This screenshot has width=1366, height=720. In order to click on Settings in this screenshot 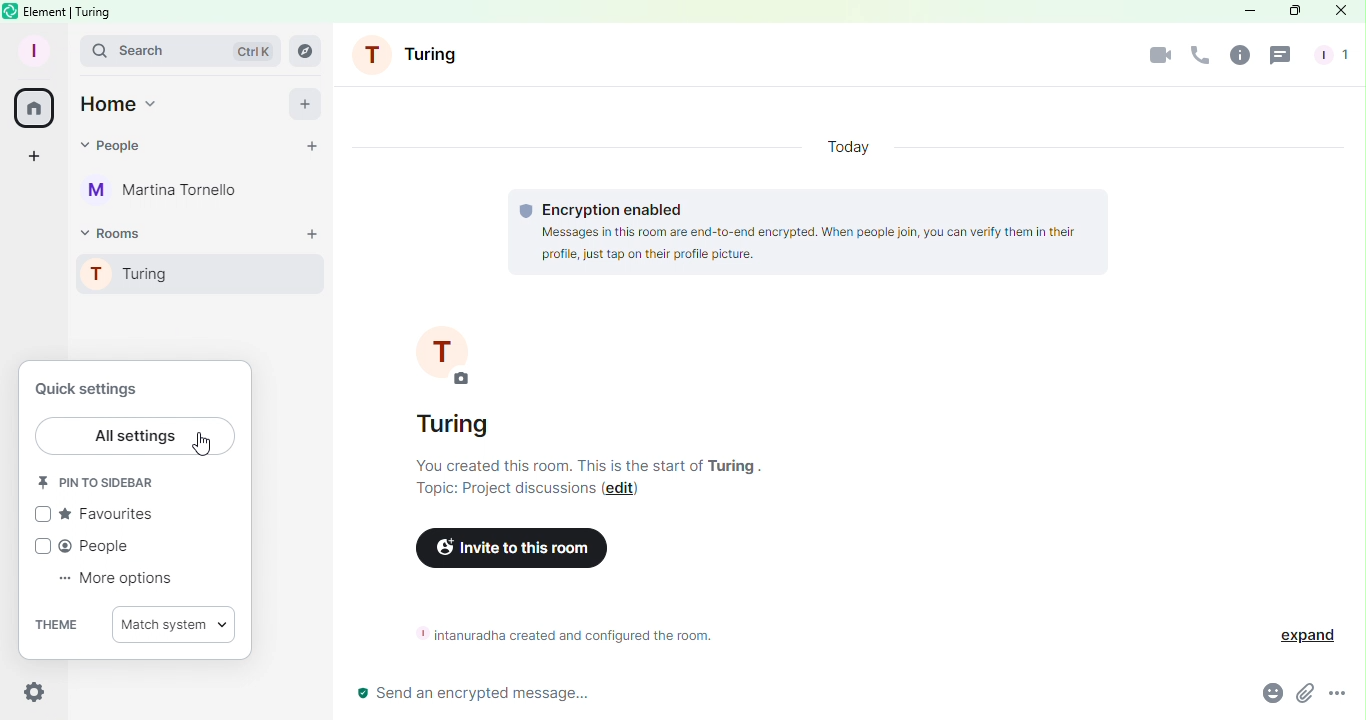, I will do `click(38, 694)`.